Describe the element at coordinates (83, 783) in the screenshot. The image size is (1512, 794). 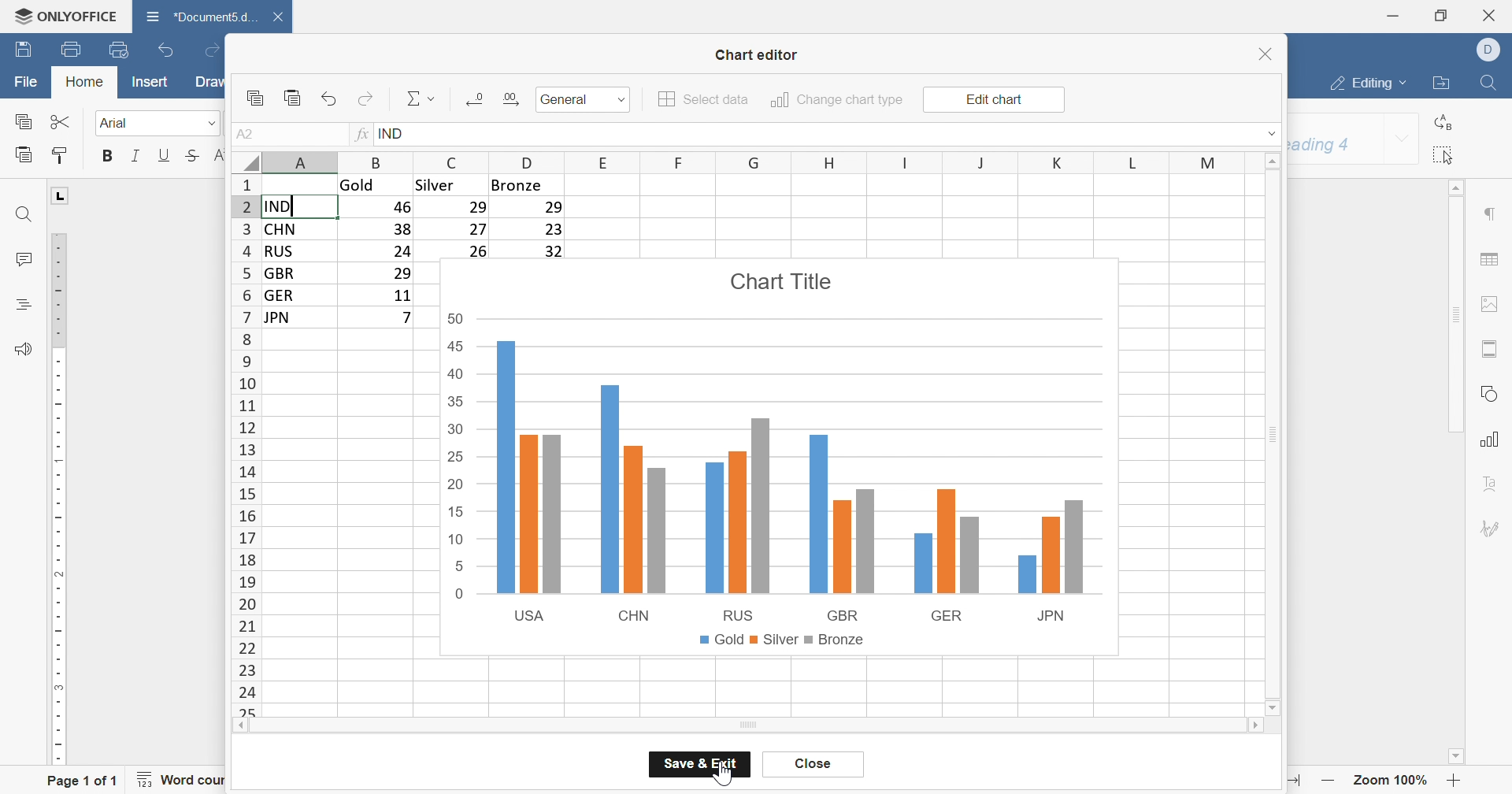
I see `page 1 of 1` at that location.